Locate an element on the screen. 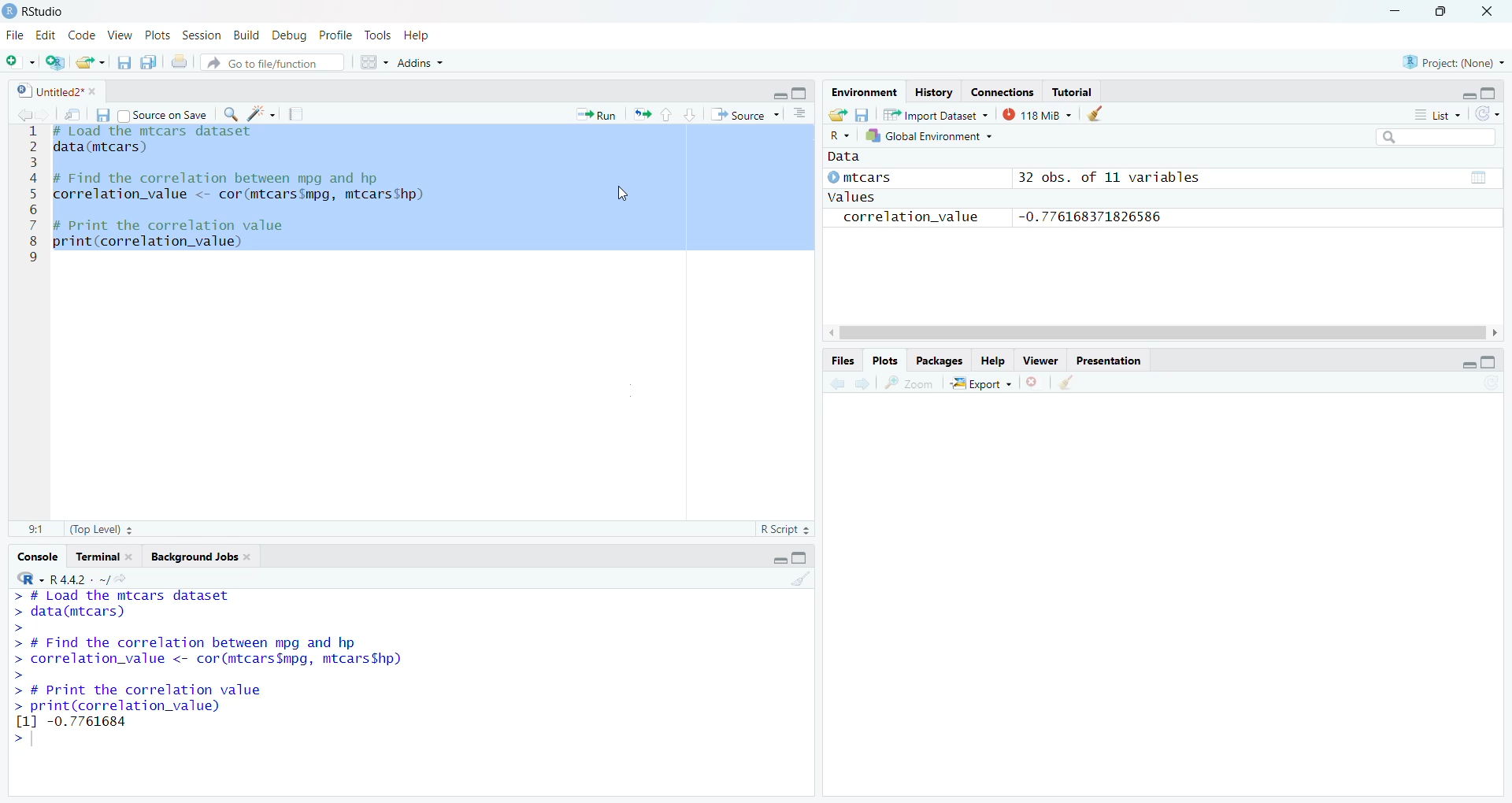 The width and height of the screenshot is (1512, 803). Profile is located at coordinates (334, 33).